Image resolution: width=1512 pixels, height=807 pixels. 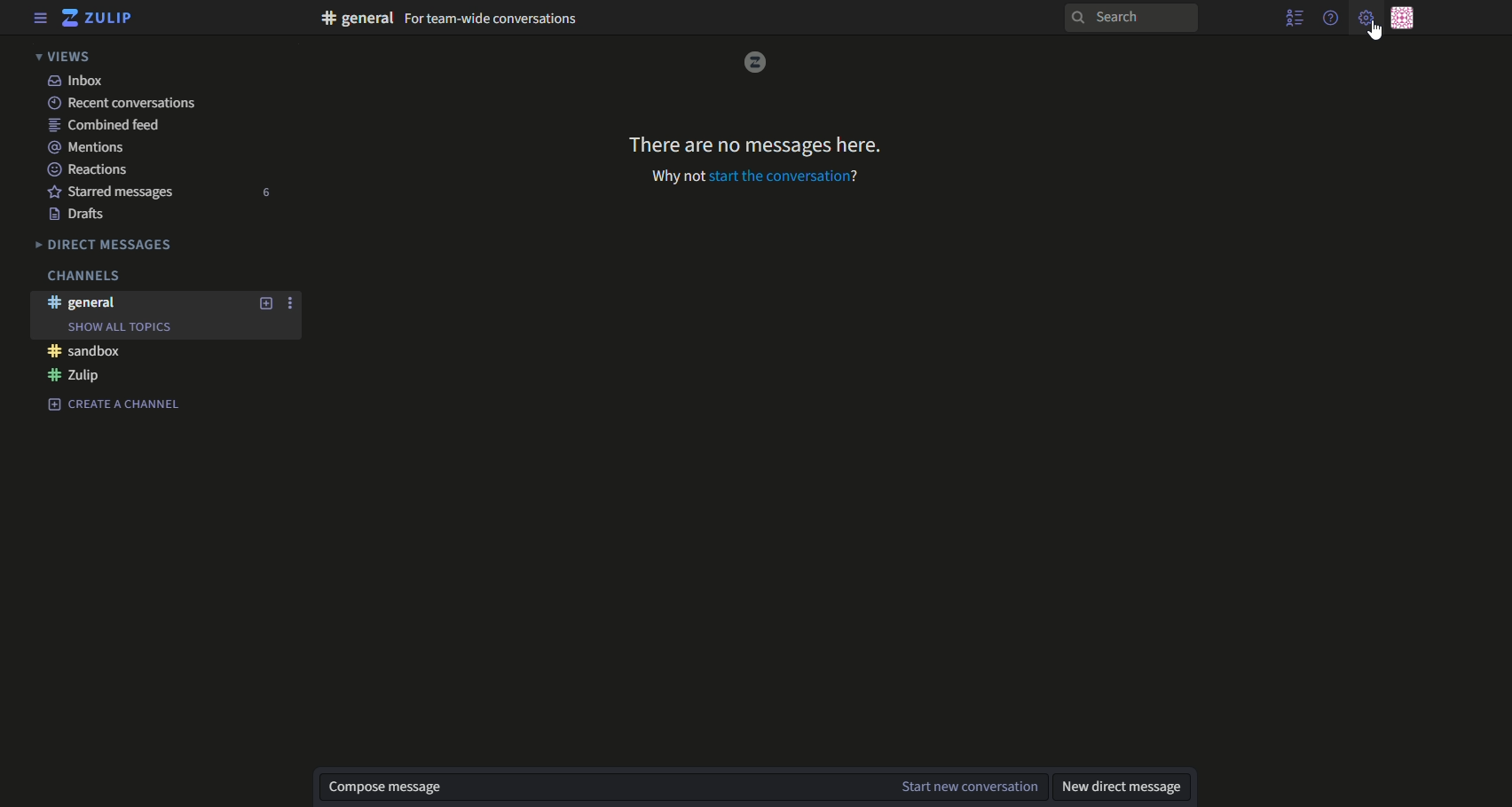 What do you see at coordinates (1331, 18) in the screenshot?
I see `help menu` at bounding box center [1331, 18].